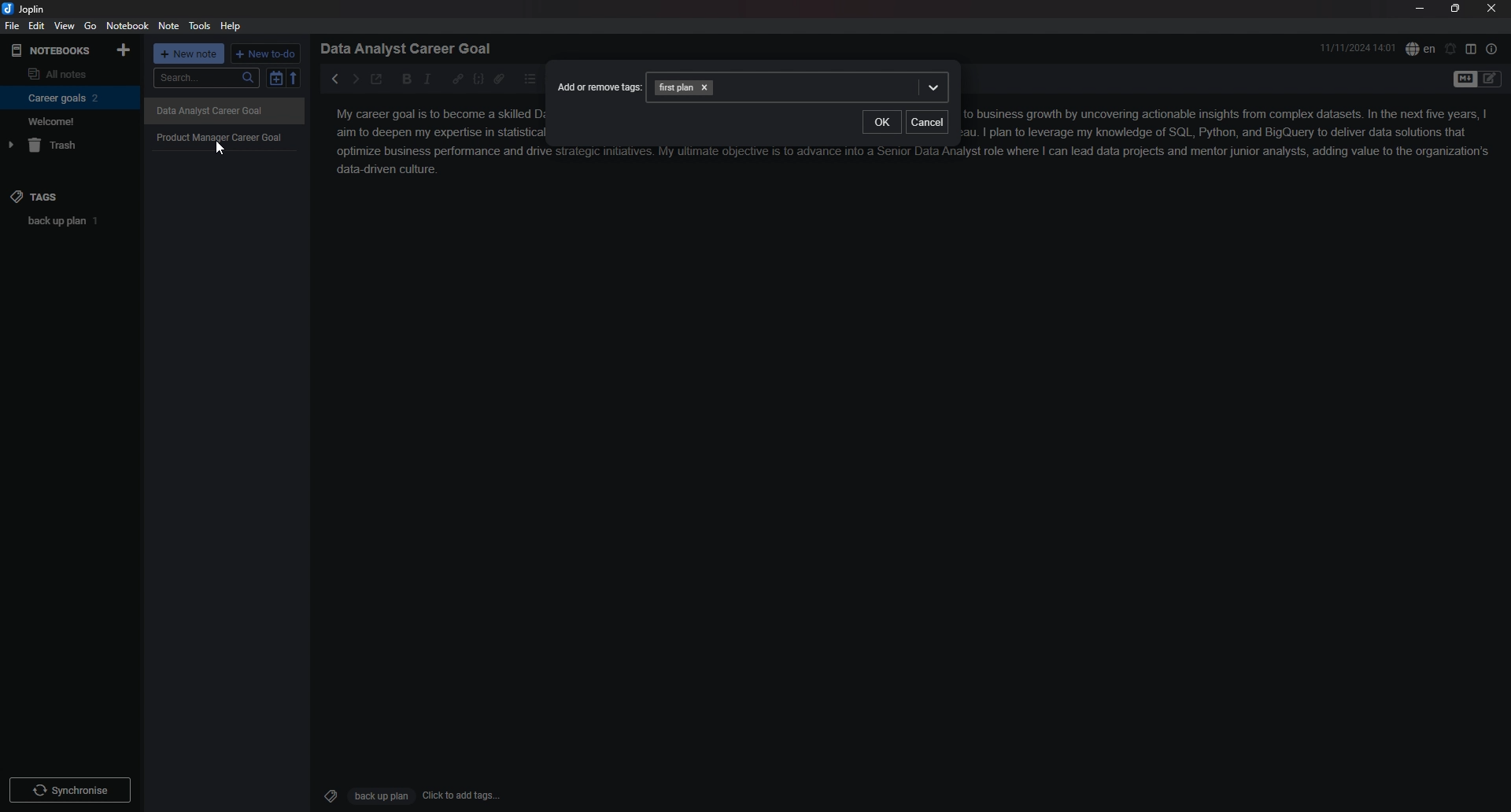  I want to click on Cursor, so click(221, 150).